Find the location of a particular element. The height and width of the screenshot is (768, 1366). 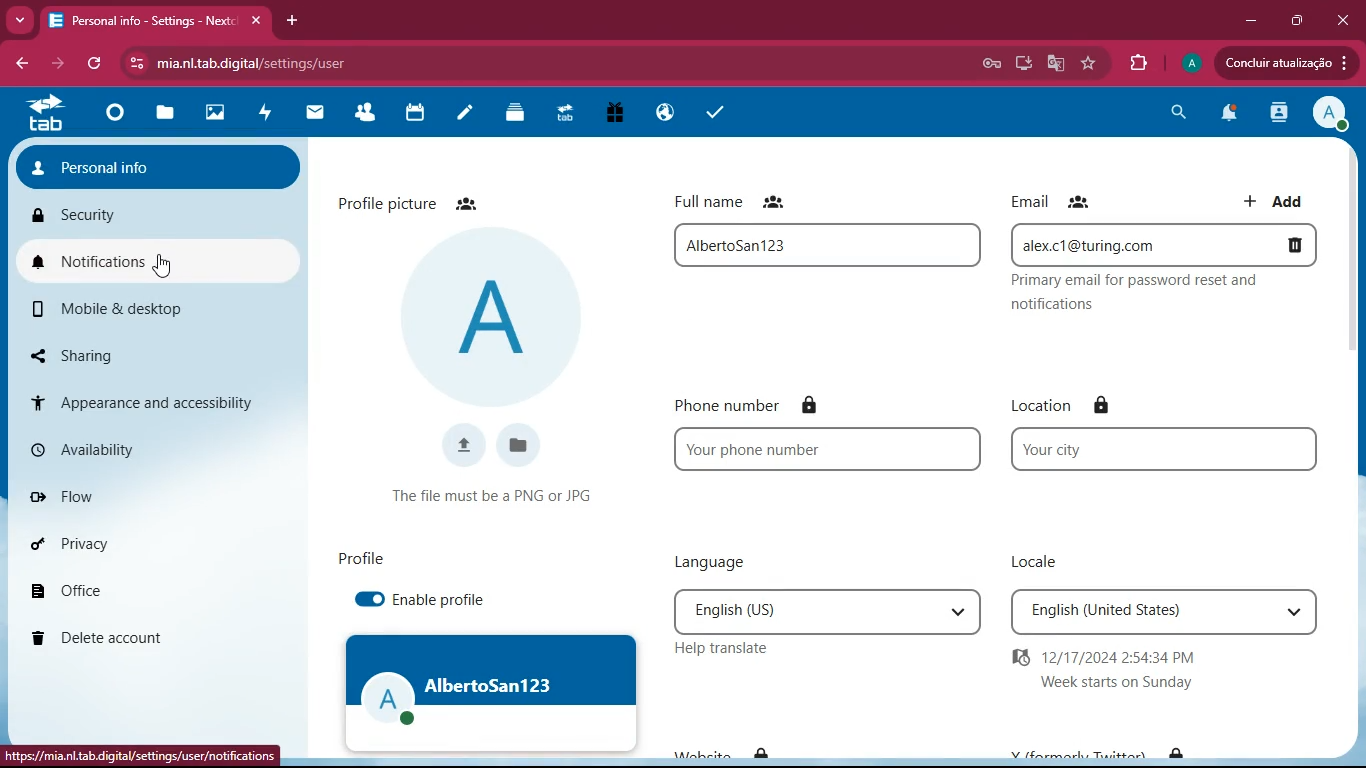

tab is located at coordinates (44, 112).